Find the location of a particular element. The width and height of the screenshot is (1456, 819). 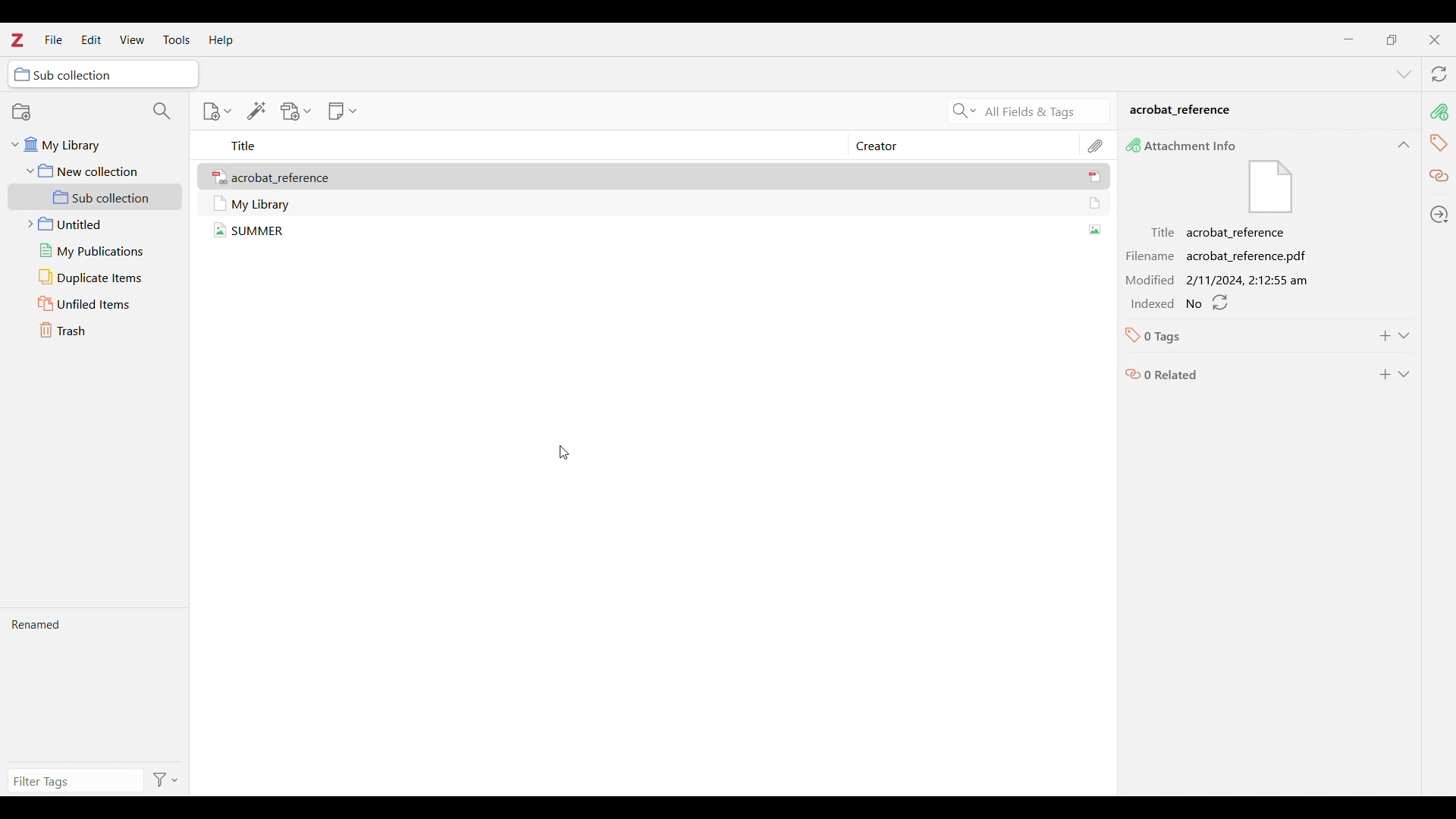

Attachment Info is located at coordinates (1188, 146).